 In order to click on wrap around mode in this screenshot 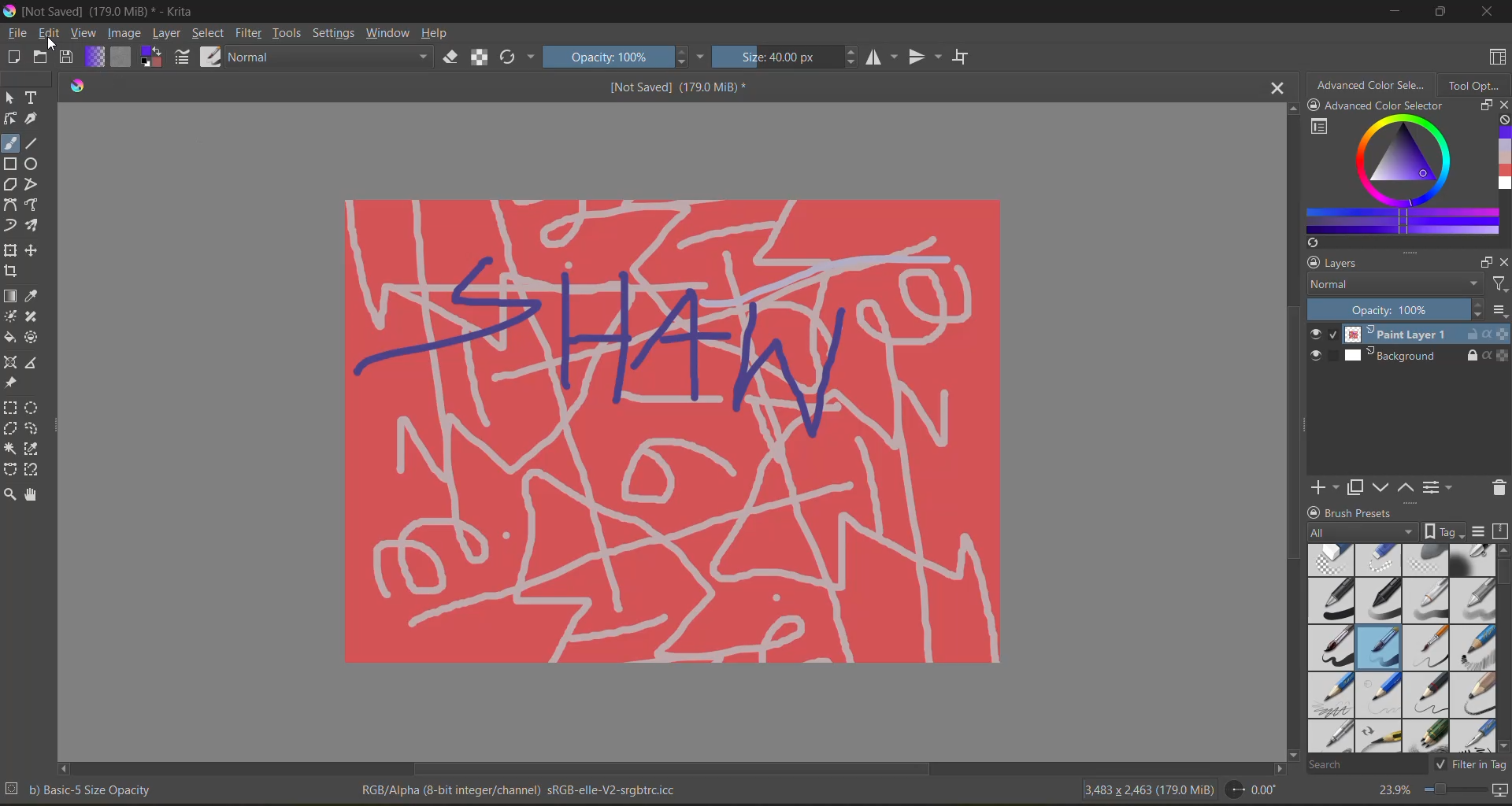, I will do `click(963, 57)`.